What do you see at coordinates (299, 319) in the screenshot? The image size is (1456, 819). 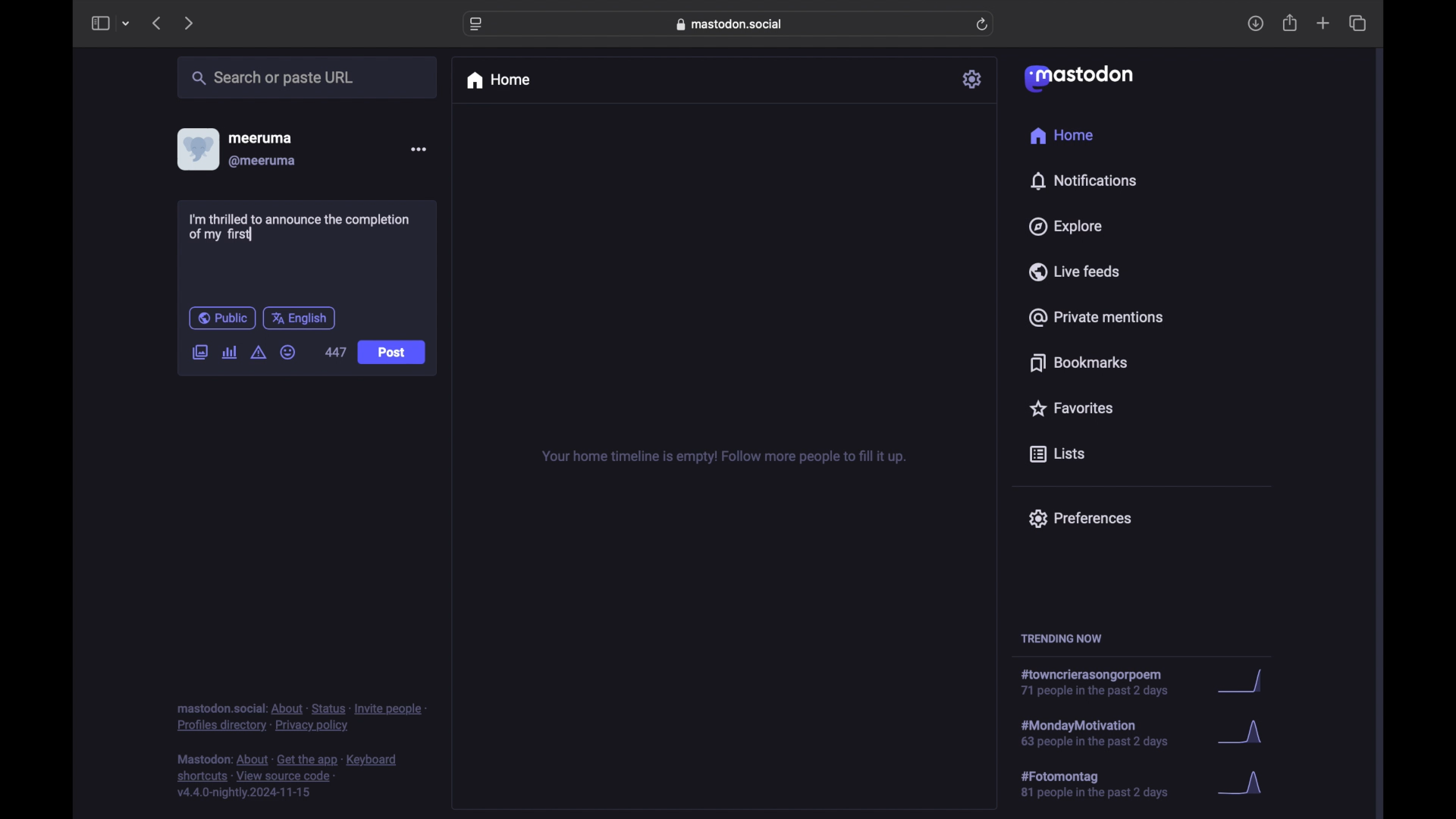 I see `english` at bounding box center [299, 319].